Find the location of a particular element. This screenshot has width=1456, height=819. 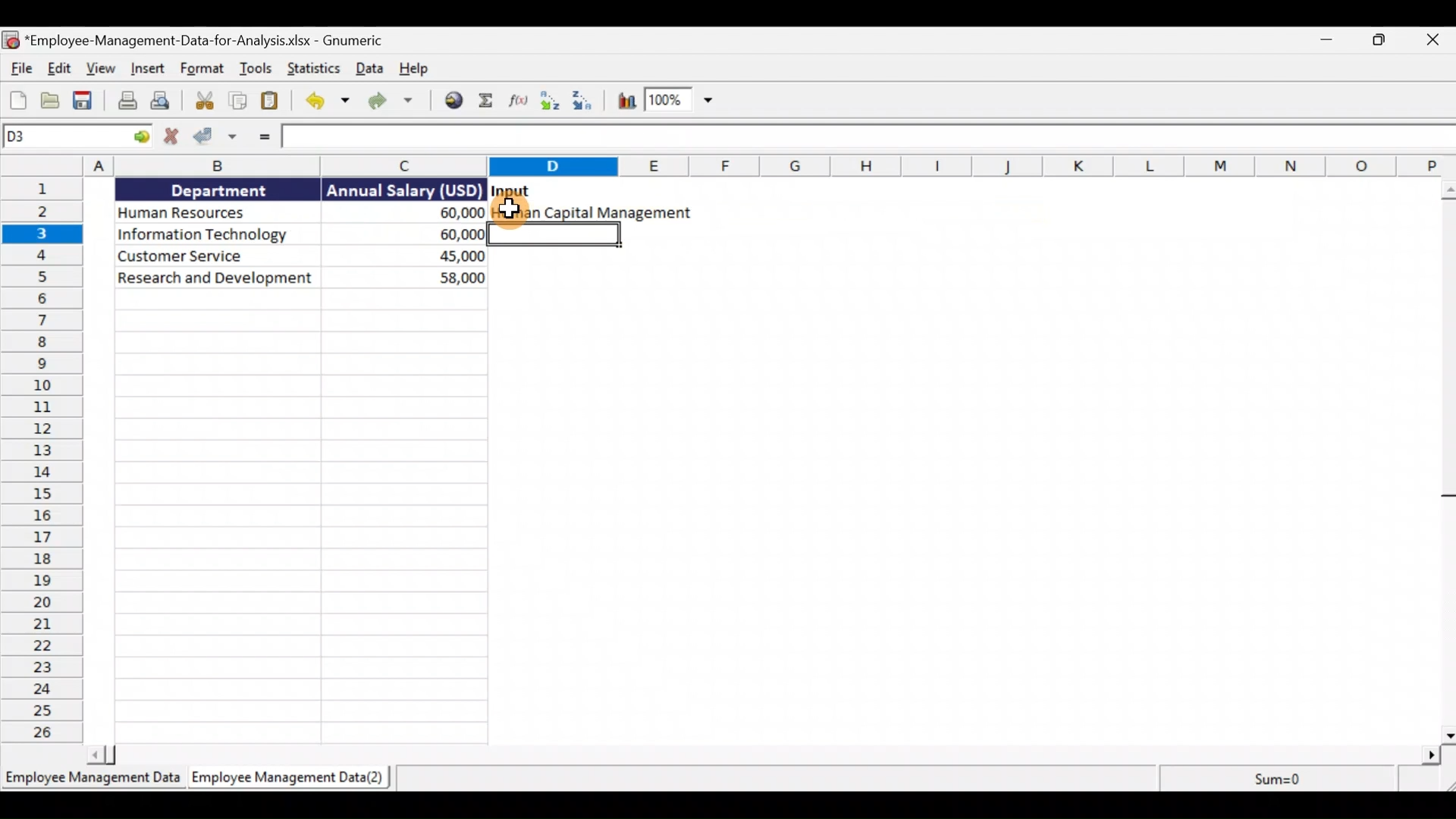

Close is located at coordinates (1433, 40).